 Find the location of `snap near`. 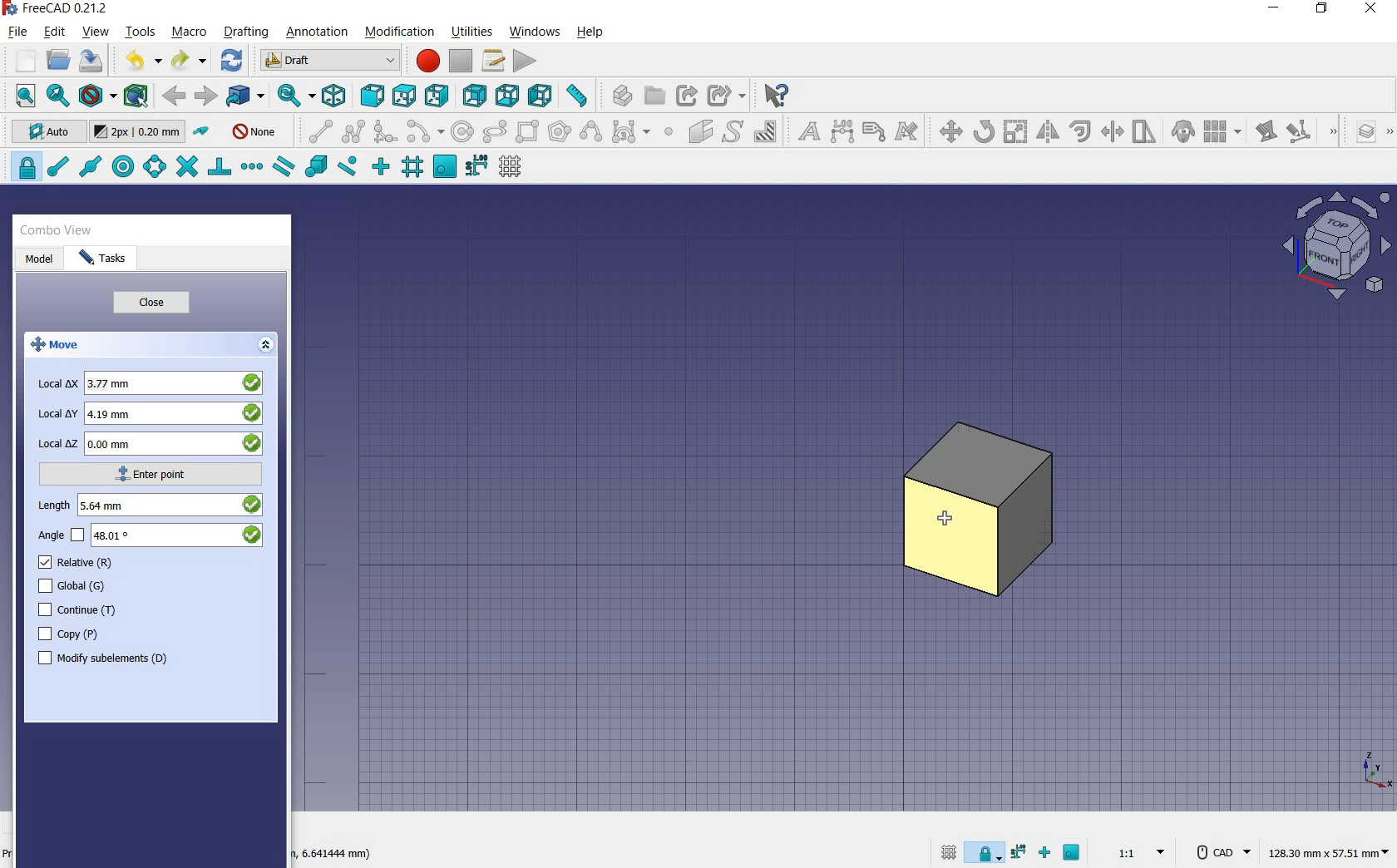

snap near is located at coordinates (348, 166).